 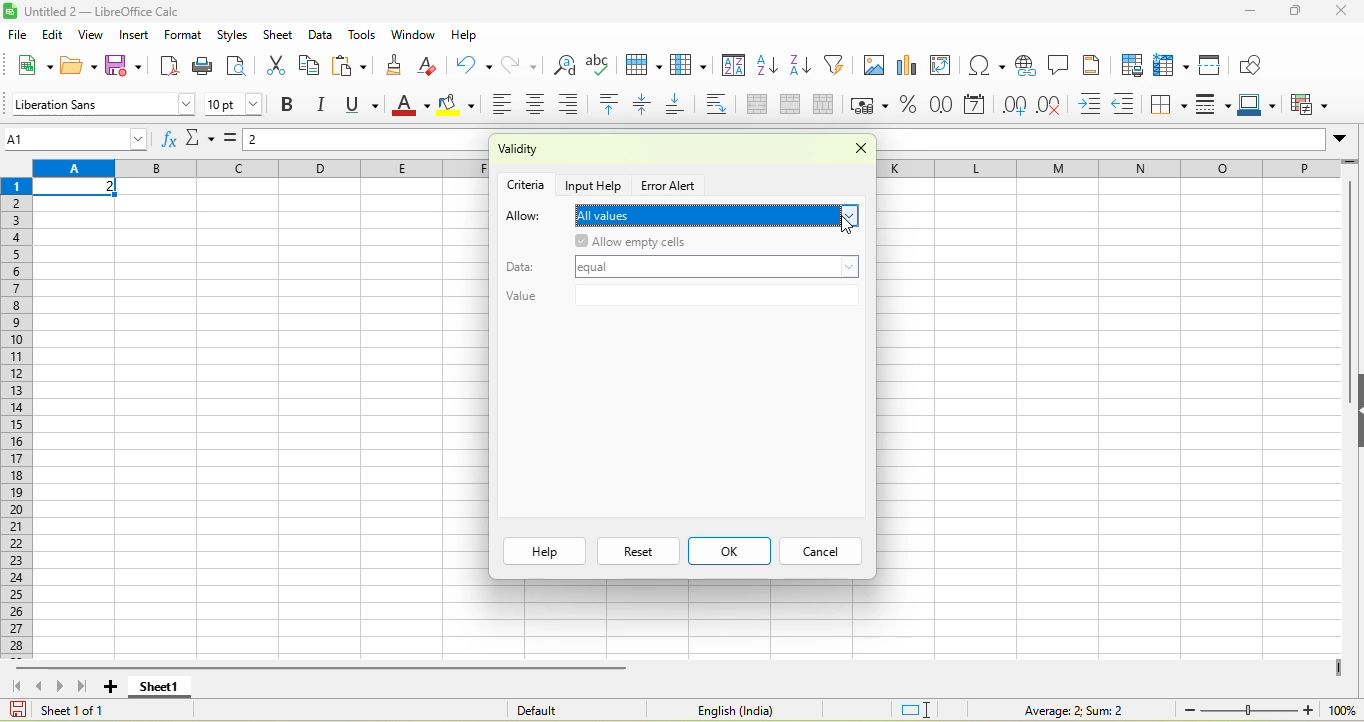 What do you see at coordinates (976, 106) in the screenshot?
I see `format as date` at bounding box center [976, 106].